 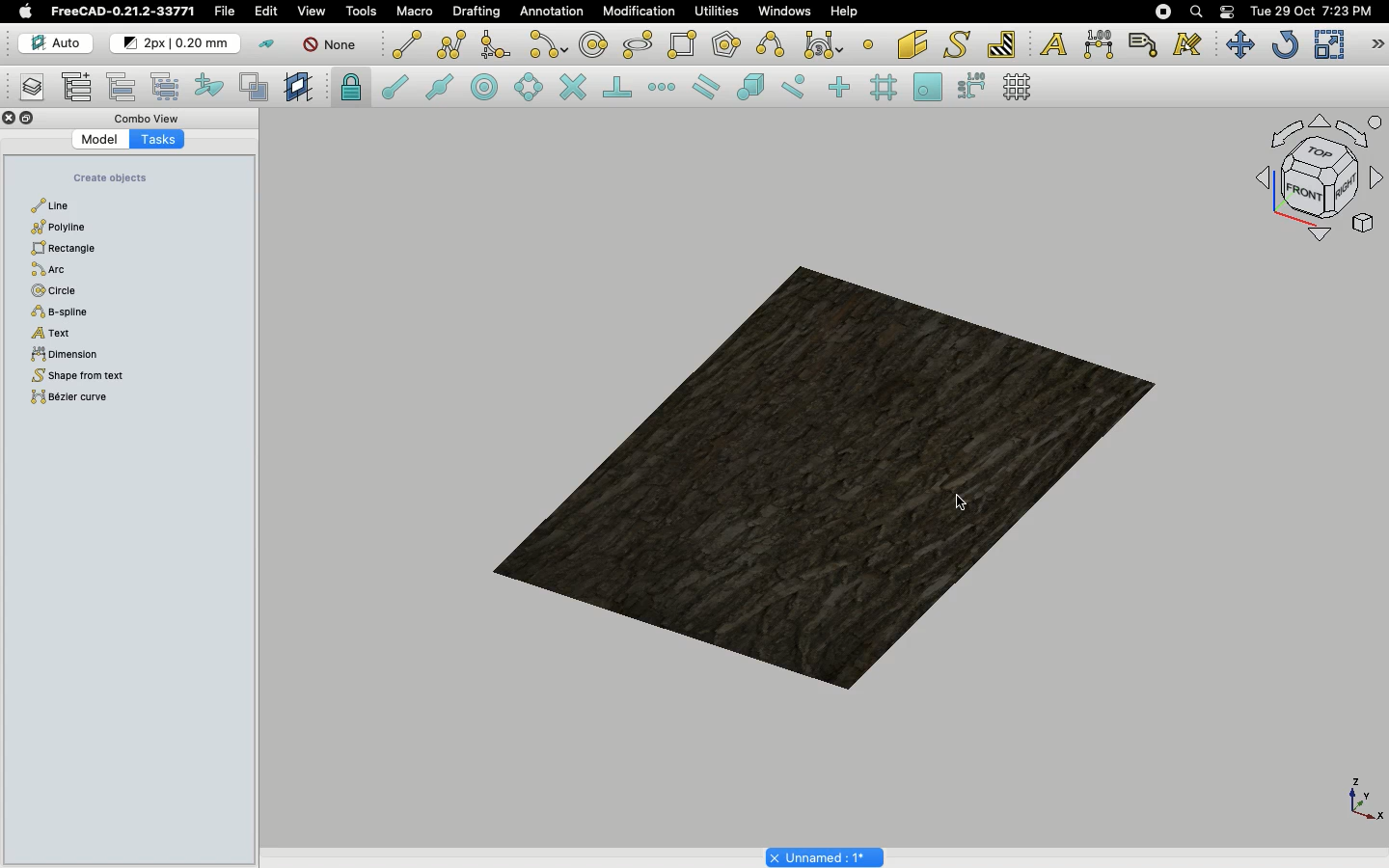 I want to click on Tools, so click(x=364, y=12).